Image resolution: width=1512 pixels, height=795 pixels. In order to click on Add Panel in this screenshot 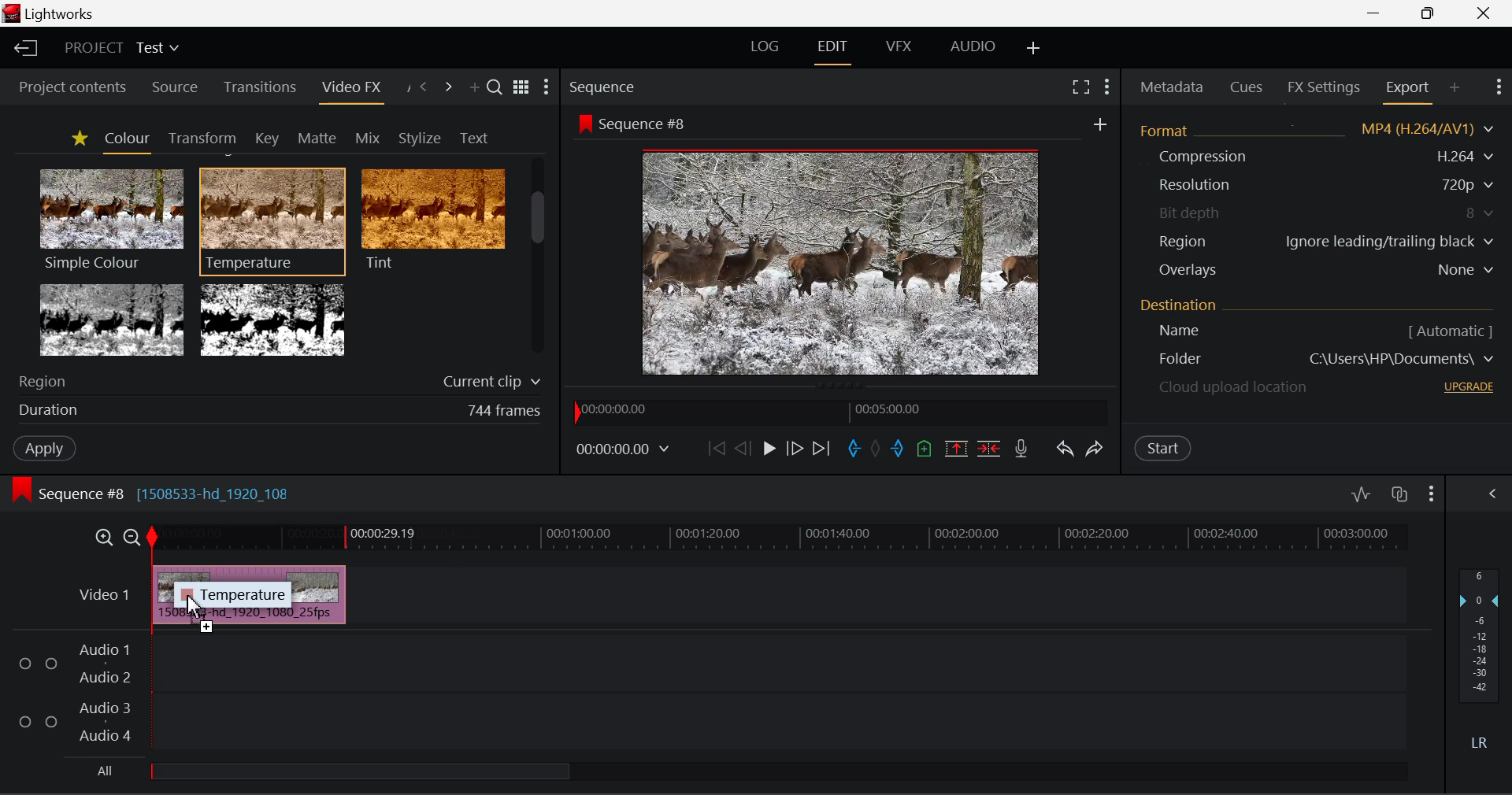, I will do `click(472, 87)`.